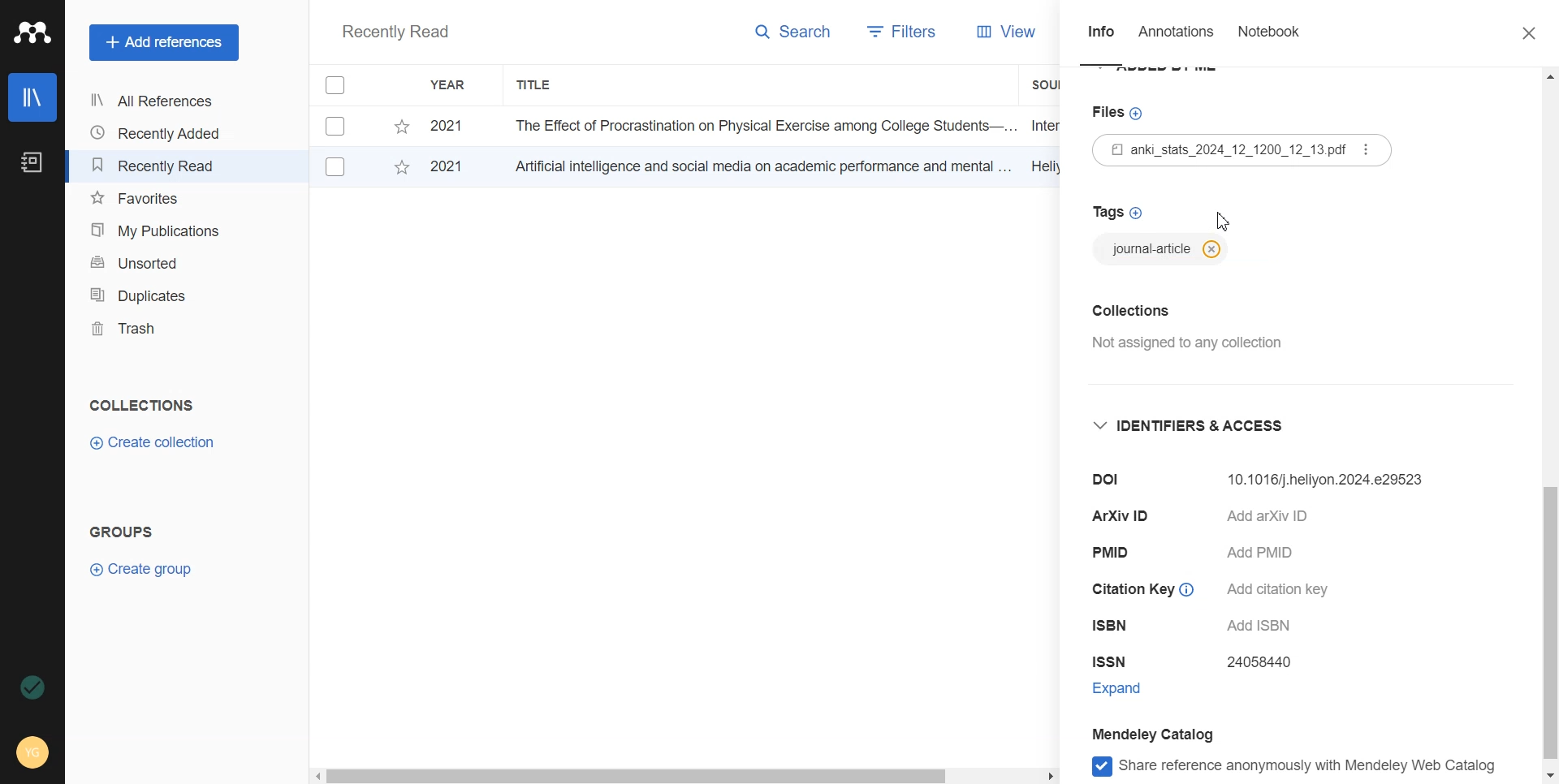 Image resolution: width=1559 pixels, height=784 pixels. What do you see at coordinates (141, 405) in the screenshot?
I see `Collections` at bounding box center [141, 405].